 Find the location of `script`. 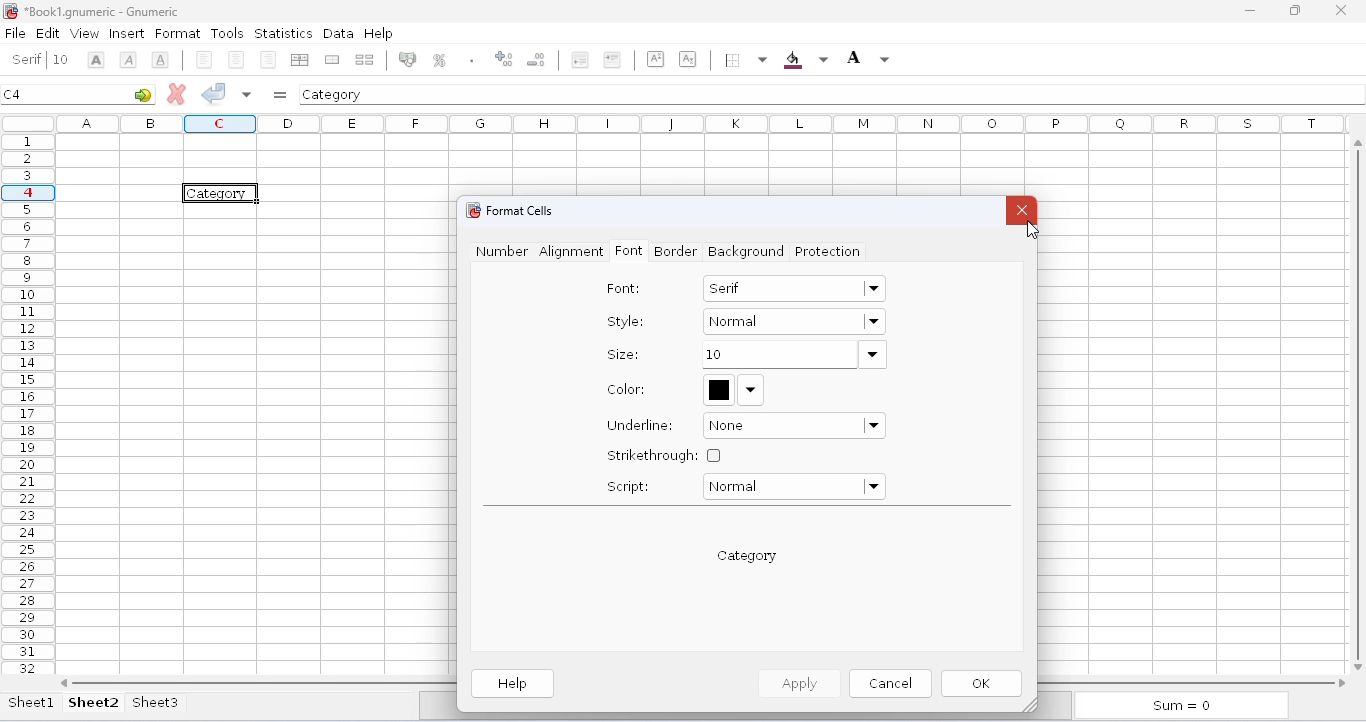

script is located at coordinates (628, 486).